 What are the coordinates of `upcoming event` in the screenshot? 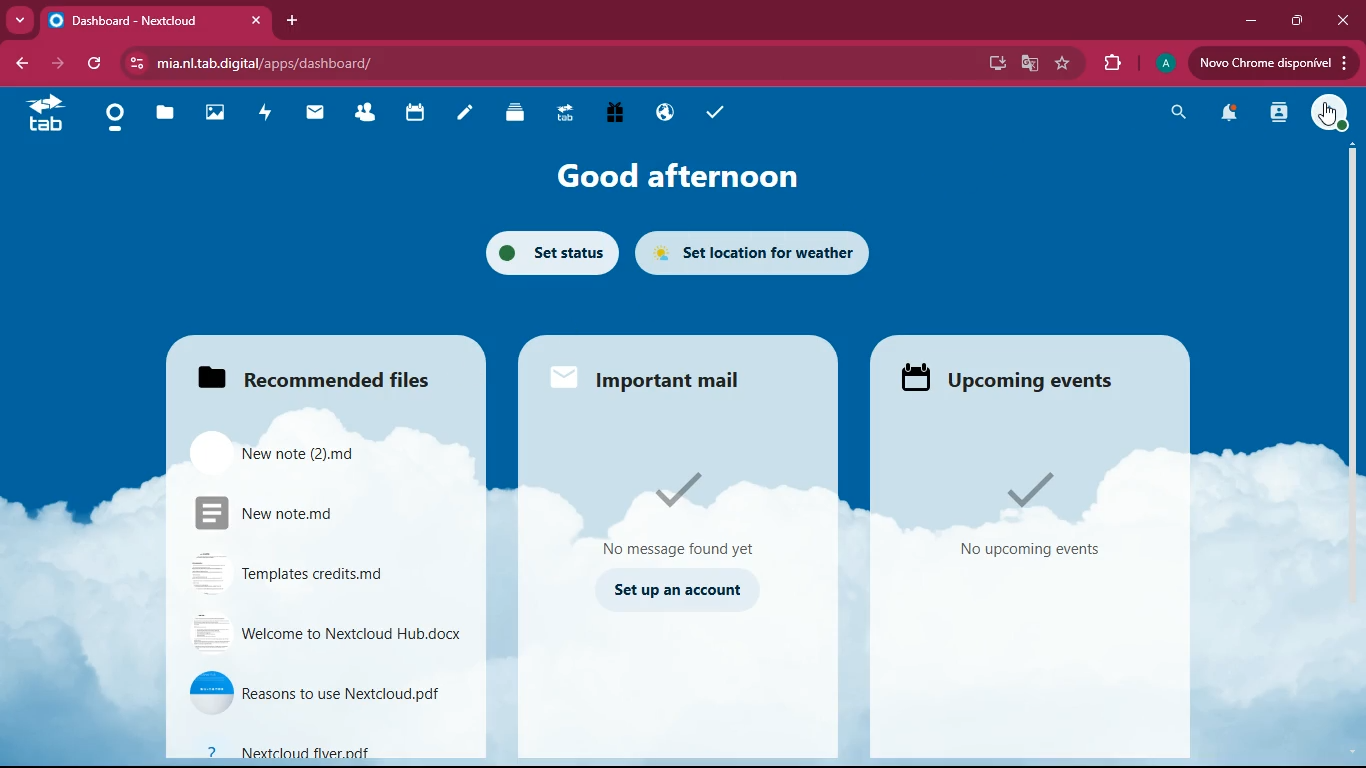 It's located at (1024, 378).